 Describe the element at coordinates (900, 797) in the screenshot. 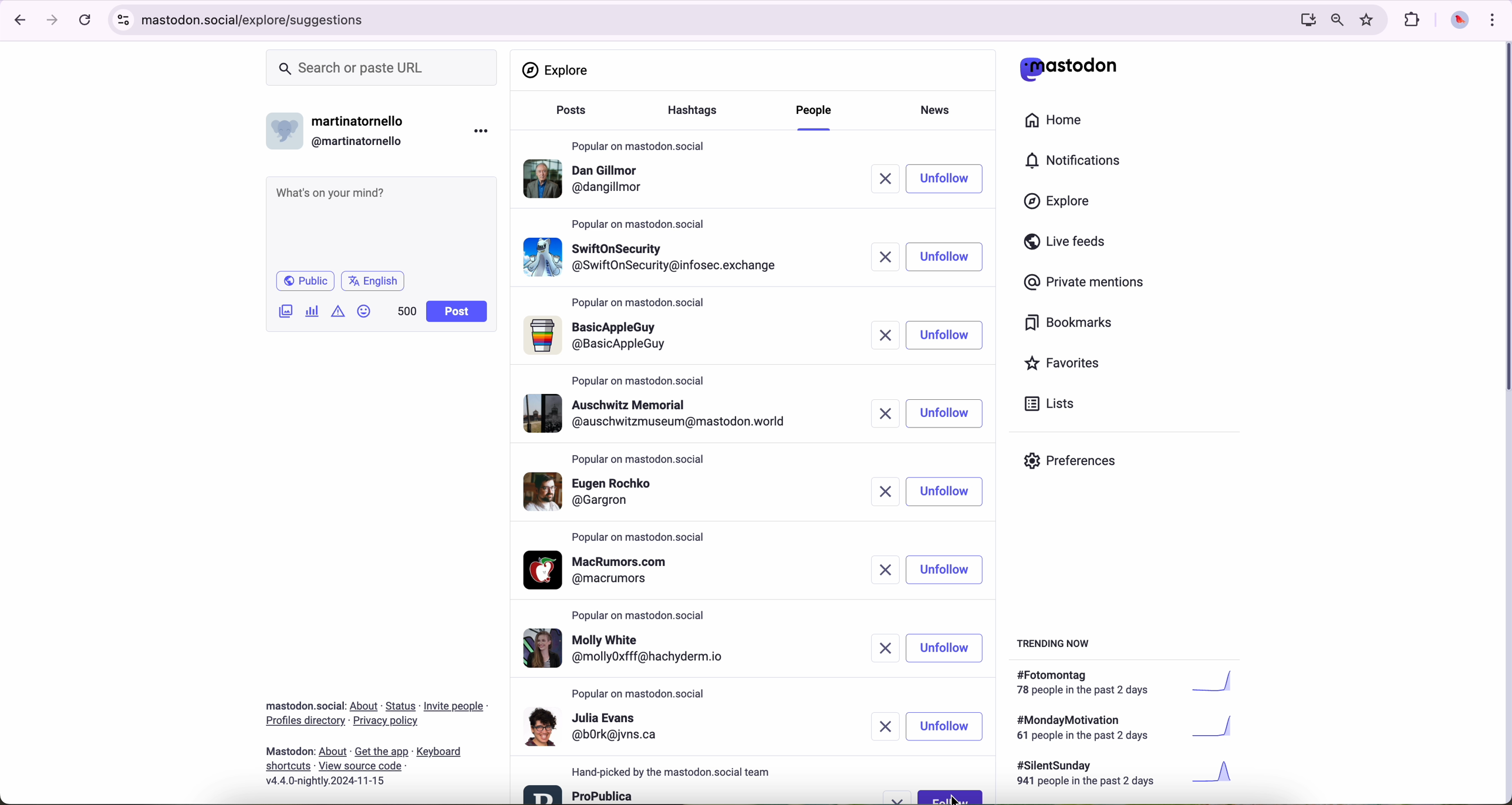

I see `remove` at that location.